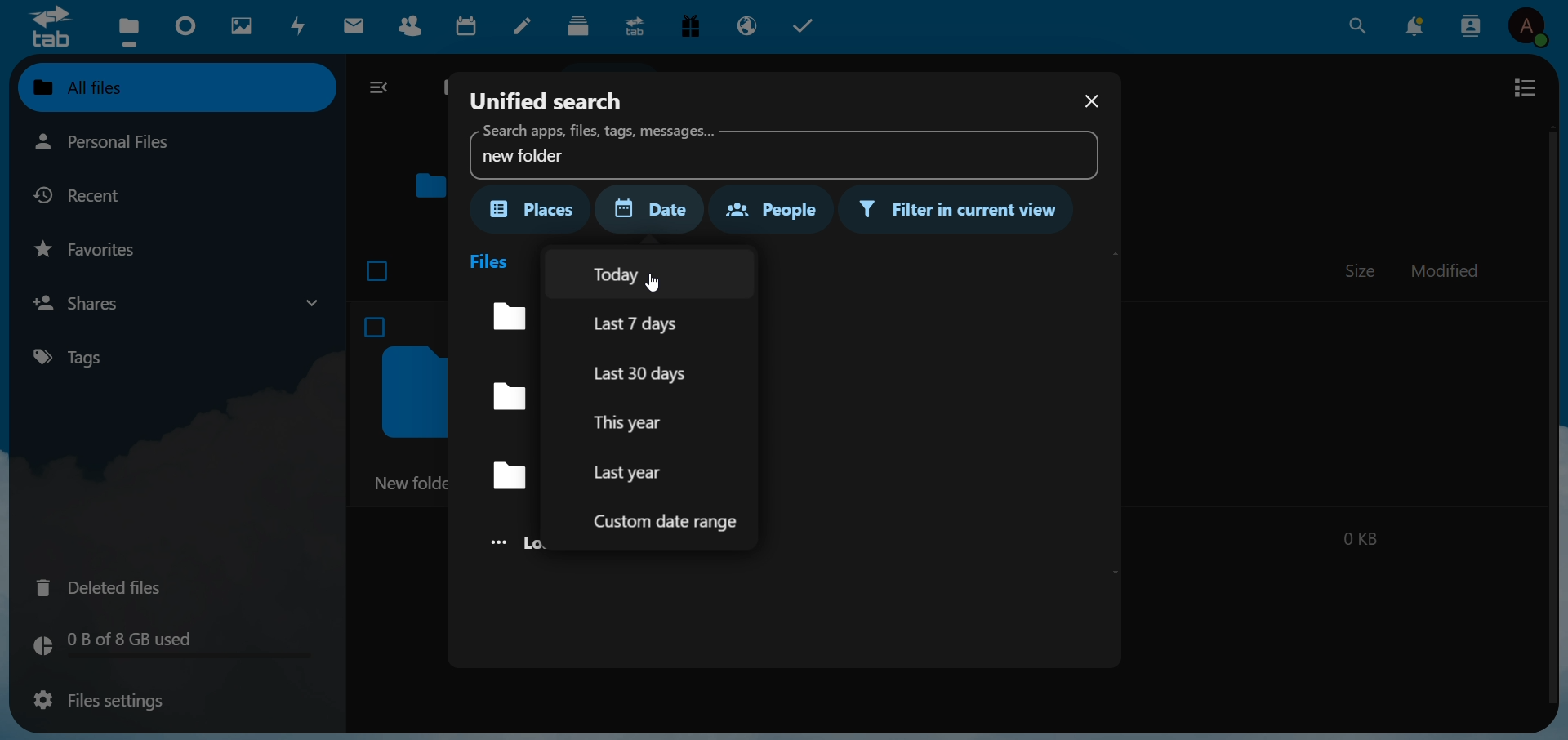 Image resolution: width=1568 pixels, height=740 pixels. I want to click on folder icon, so click(411, 392).